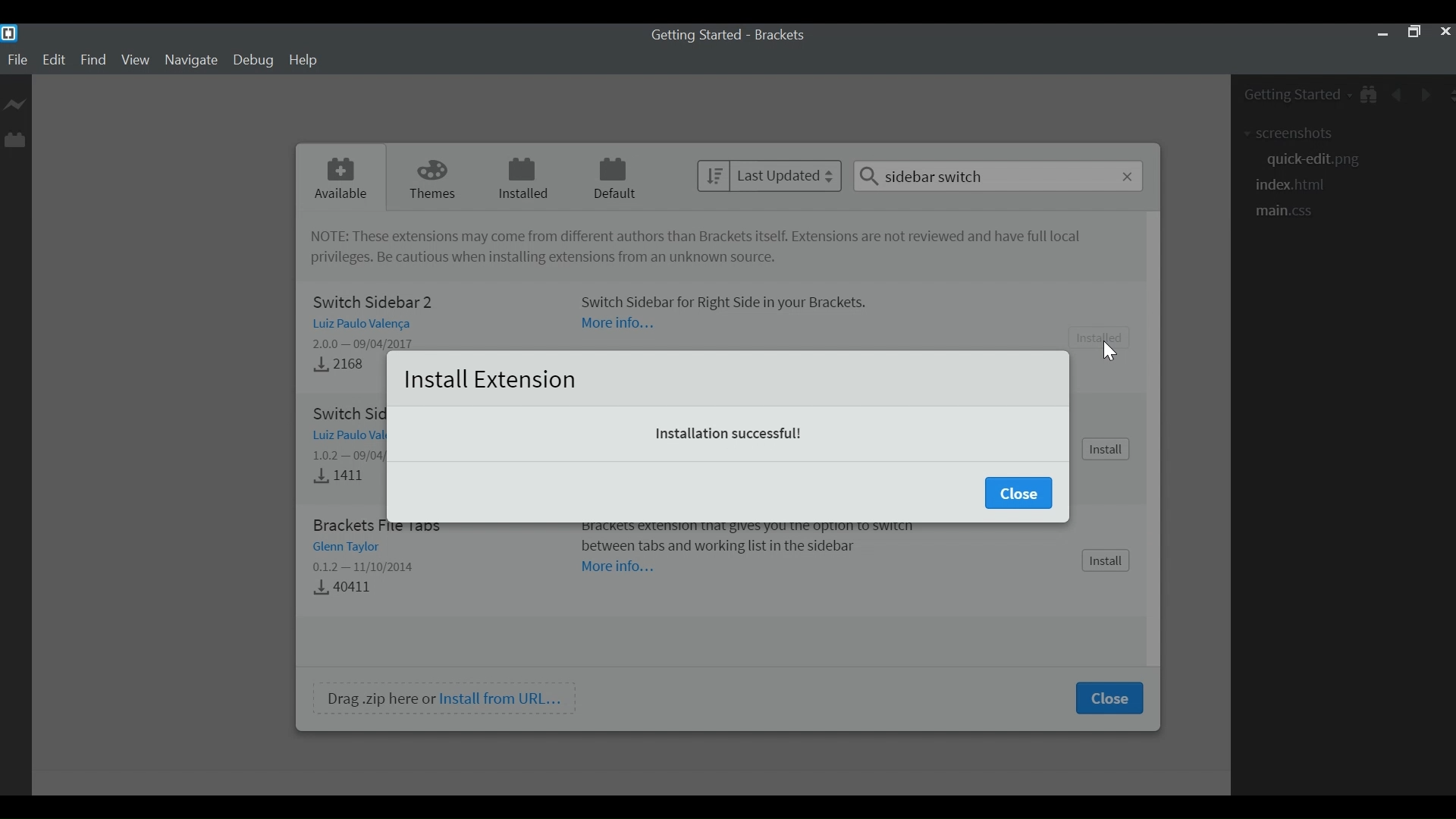 The image size is (1456, 819). What do you see at coordinates (445, 698) in the screenshot?
I see `Drag .zip here or Install from URL` at bounding box center [445, 698].